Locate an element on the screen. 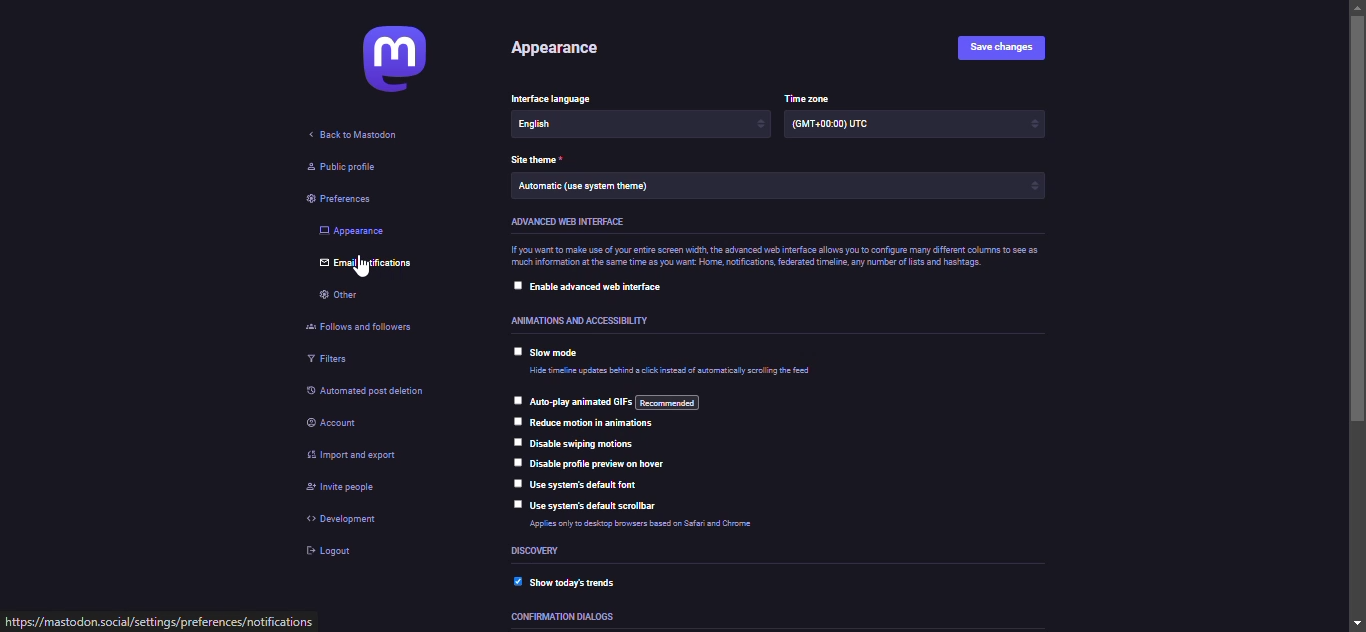  back to mastodon is located at coordinates (353, 138).